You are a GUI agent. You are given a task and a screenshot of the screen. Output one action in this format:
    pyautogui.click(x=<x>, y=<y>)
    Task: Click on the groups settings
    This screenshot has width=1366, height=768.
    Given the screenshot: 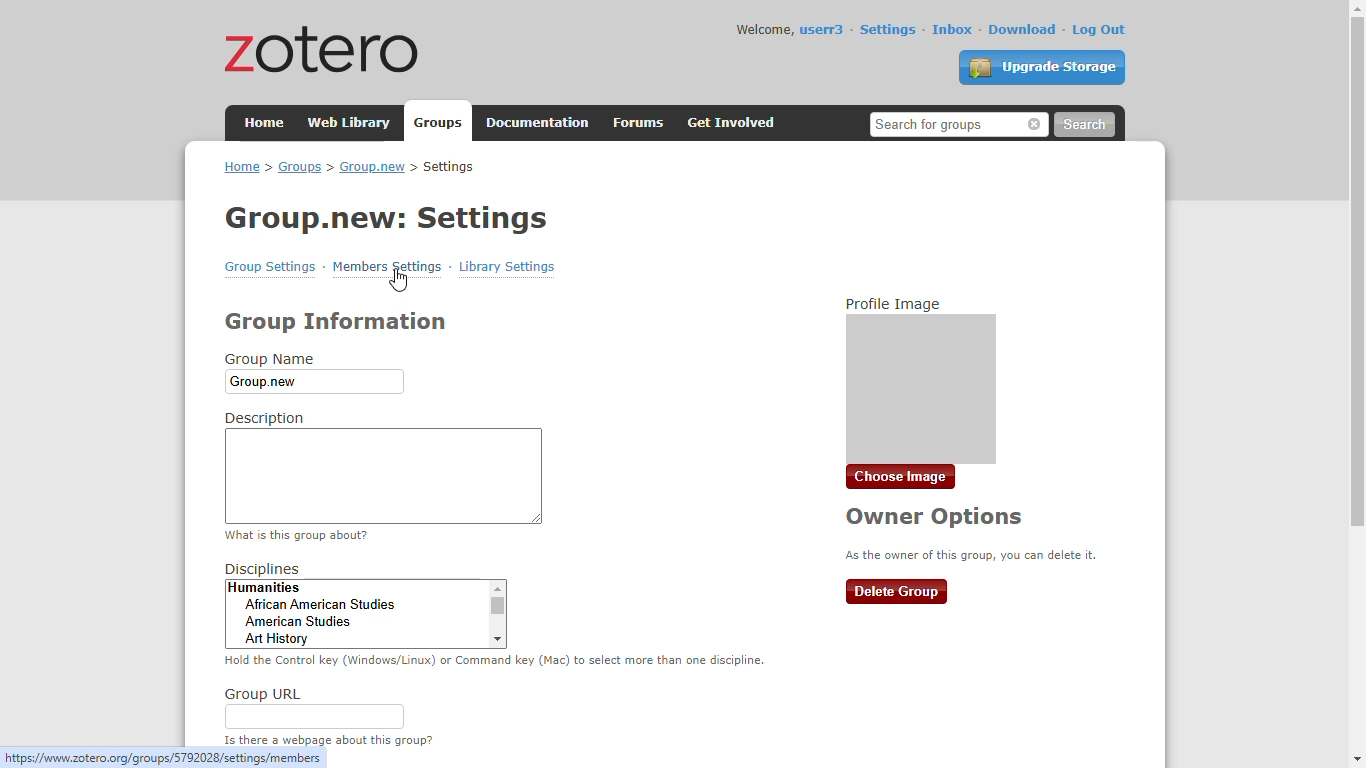 What is the action you would take?
    pyautogui.click(x=271, y=267)
    